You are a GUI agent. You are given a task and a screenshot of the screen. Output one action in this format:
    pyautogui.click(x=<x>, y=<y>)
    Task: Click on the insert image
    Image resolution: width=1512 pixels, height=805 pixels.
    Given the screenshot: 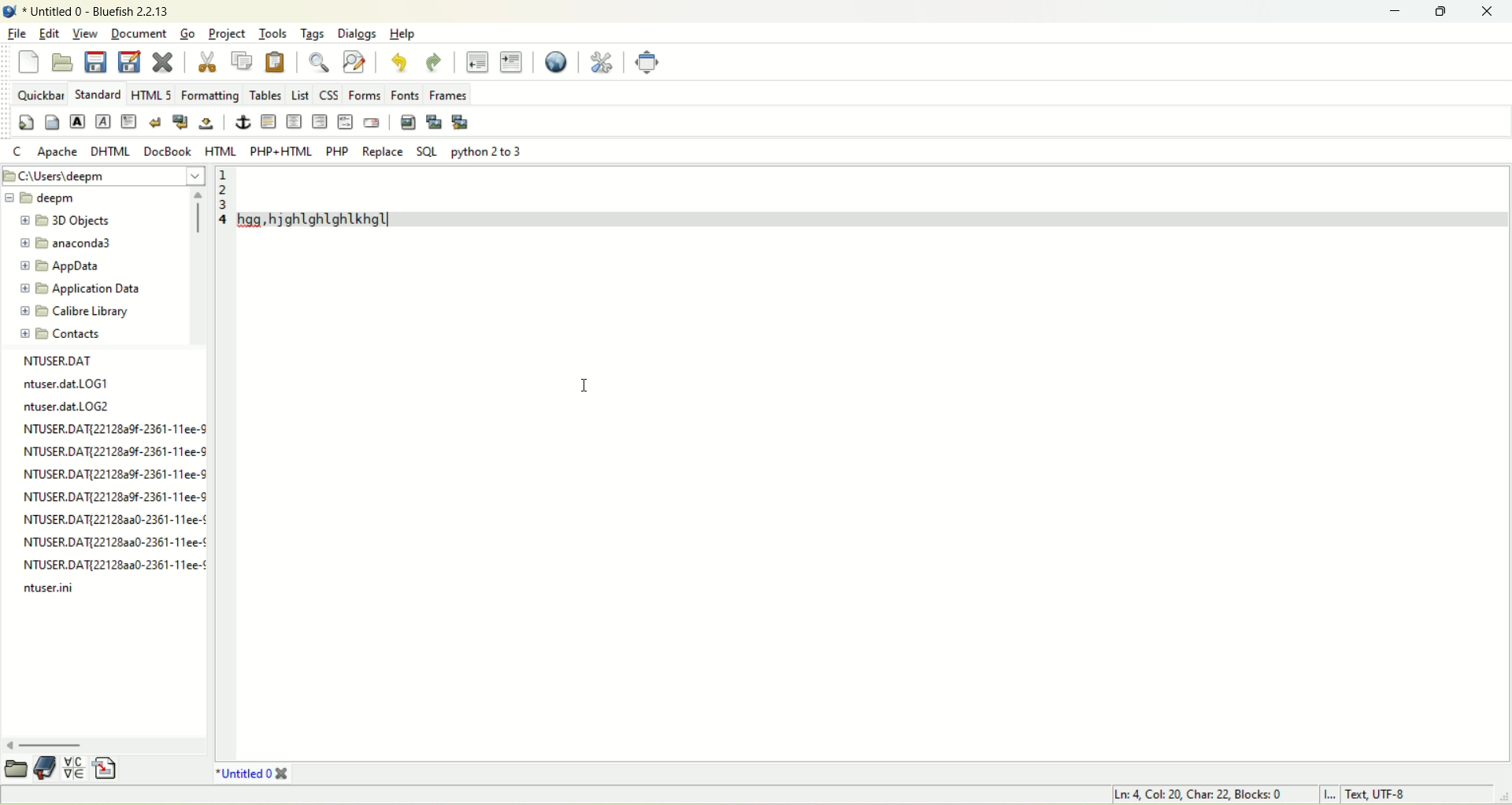 What is the action you would take?
    pyautogui.click(x=408, y=123)
    